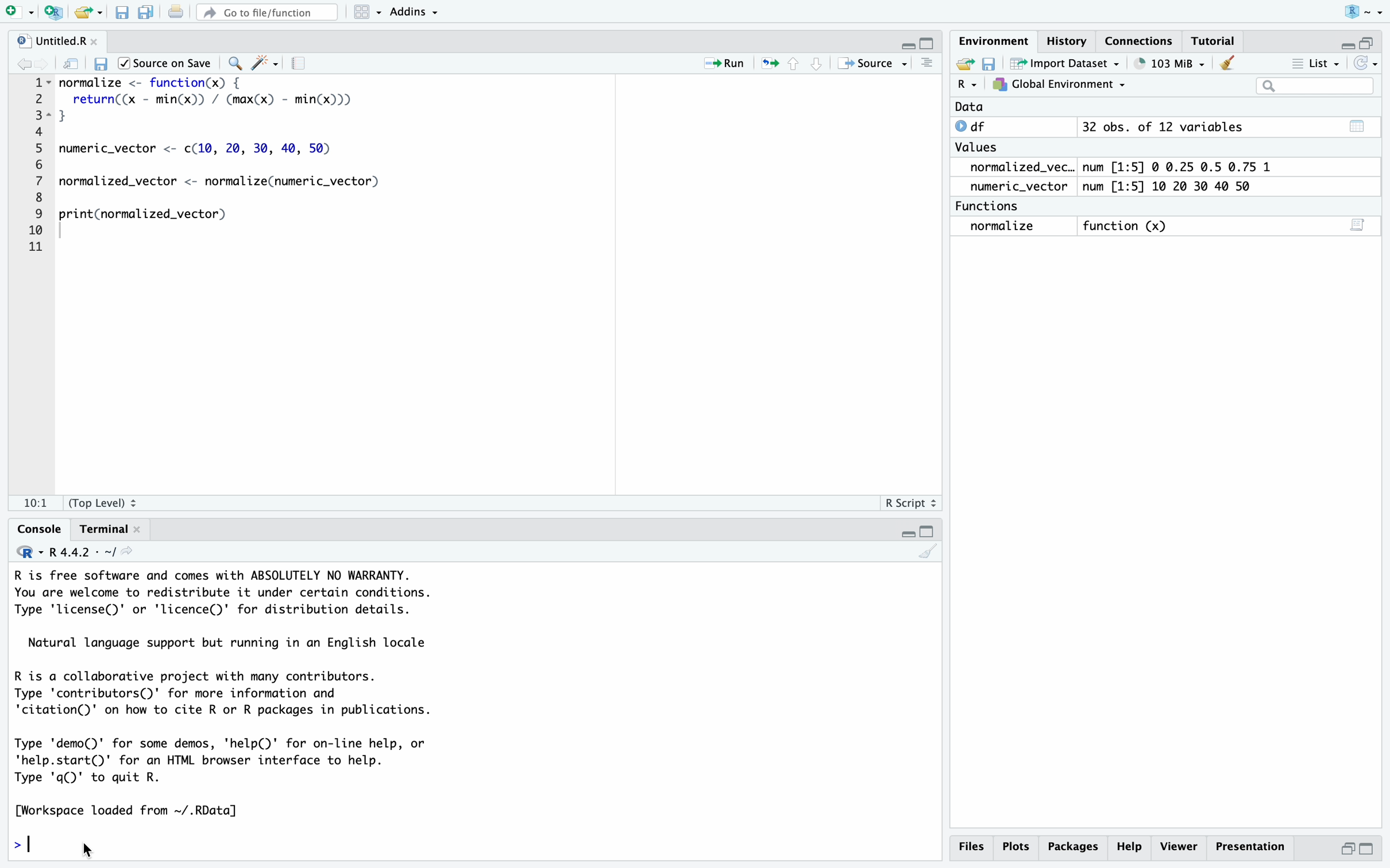 The height and width of the screenshot is (868, 1390). What do you see at coordinates (105, 530) in the screenshot?
I see `Terminal` at bounding box center [105, 530].